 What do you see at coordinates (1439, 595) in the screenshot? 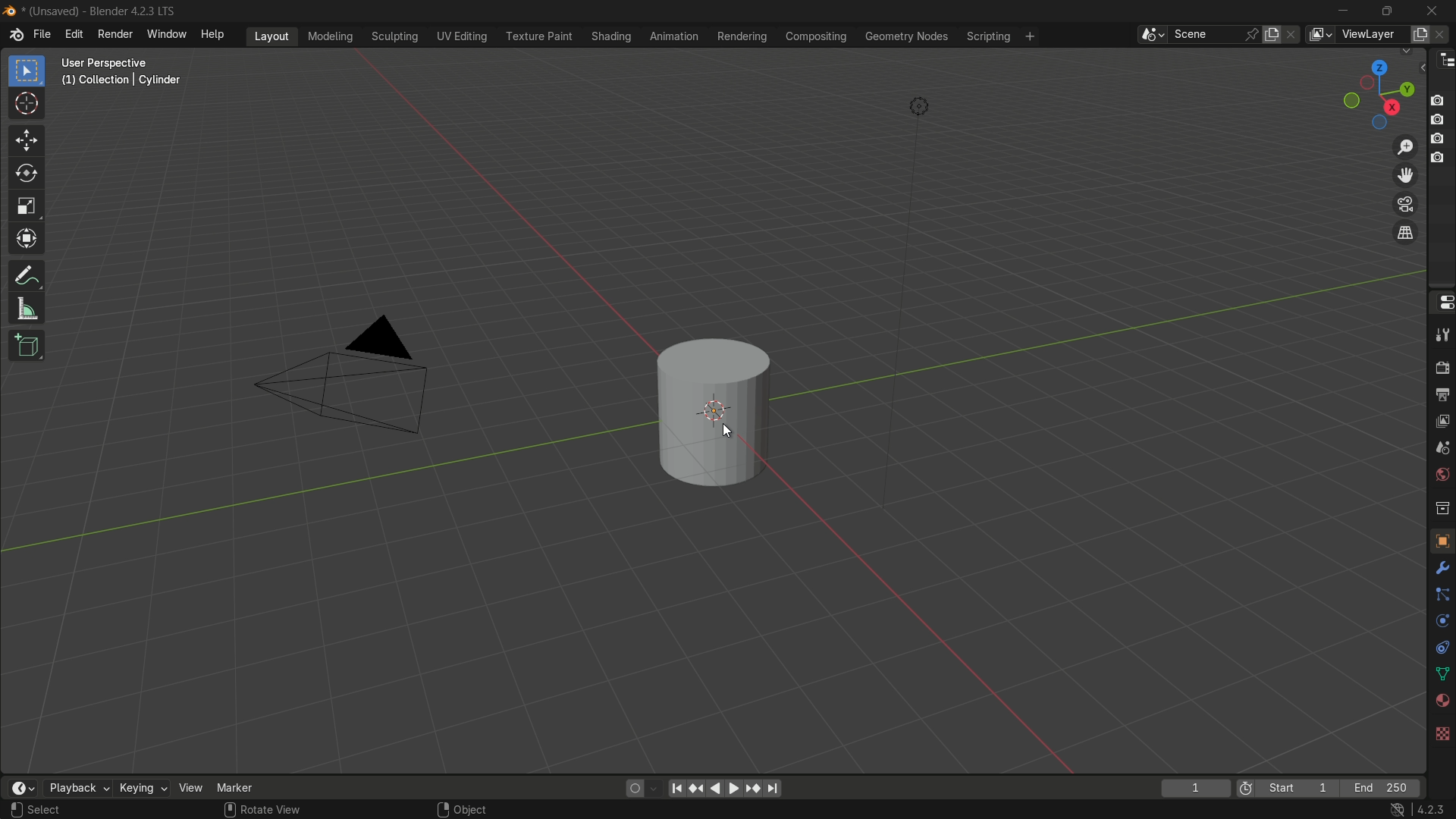
I see `particles` at bounding box center [1439, 595].